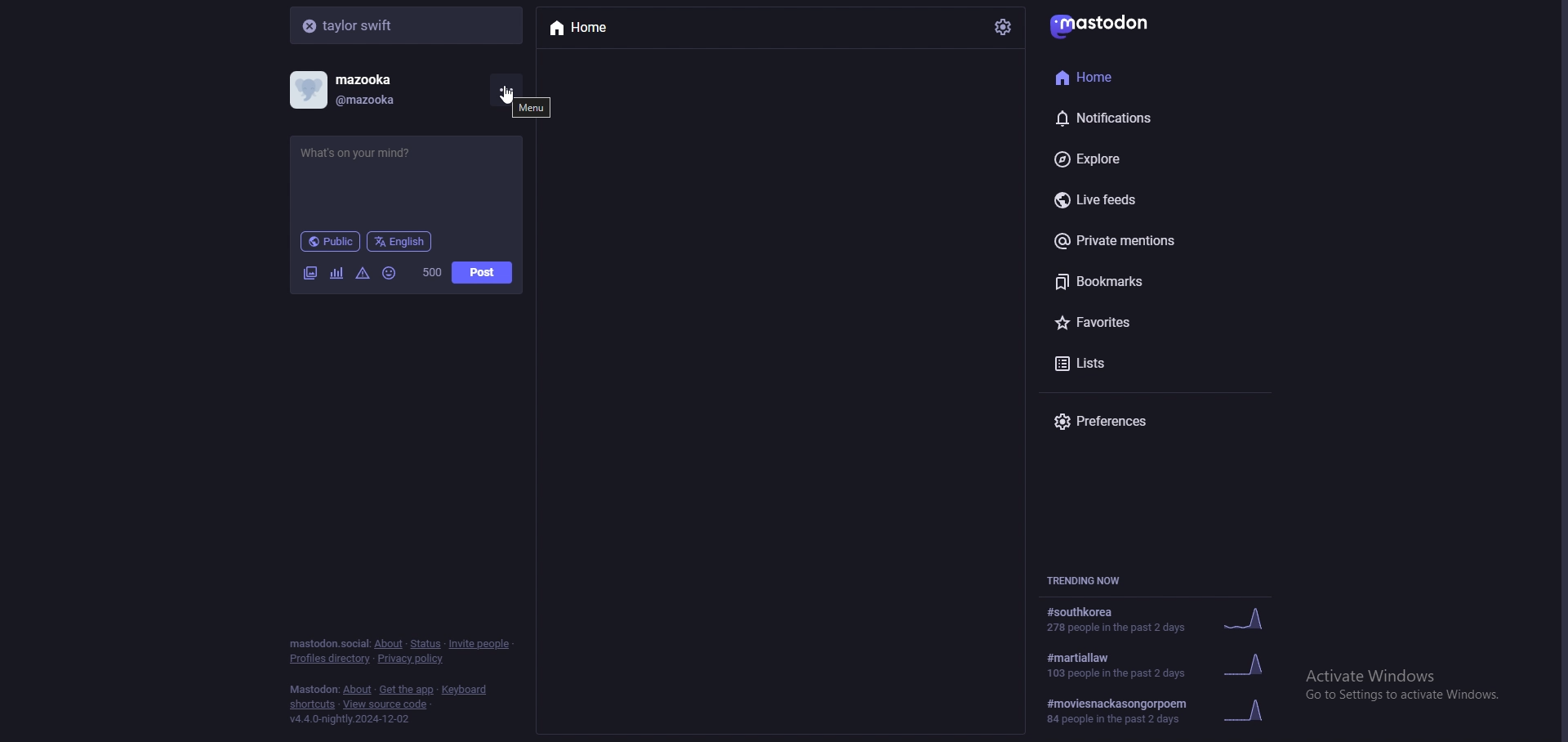  What do you see at coordinates (1146, 279) in the screenshot?
I see `bookmarks` at bounding box center [1146, 279].